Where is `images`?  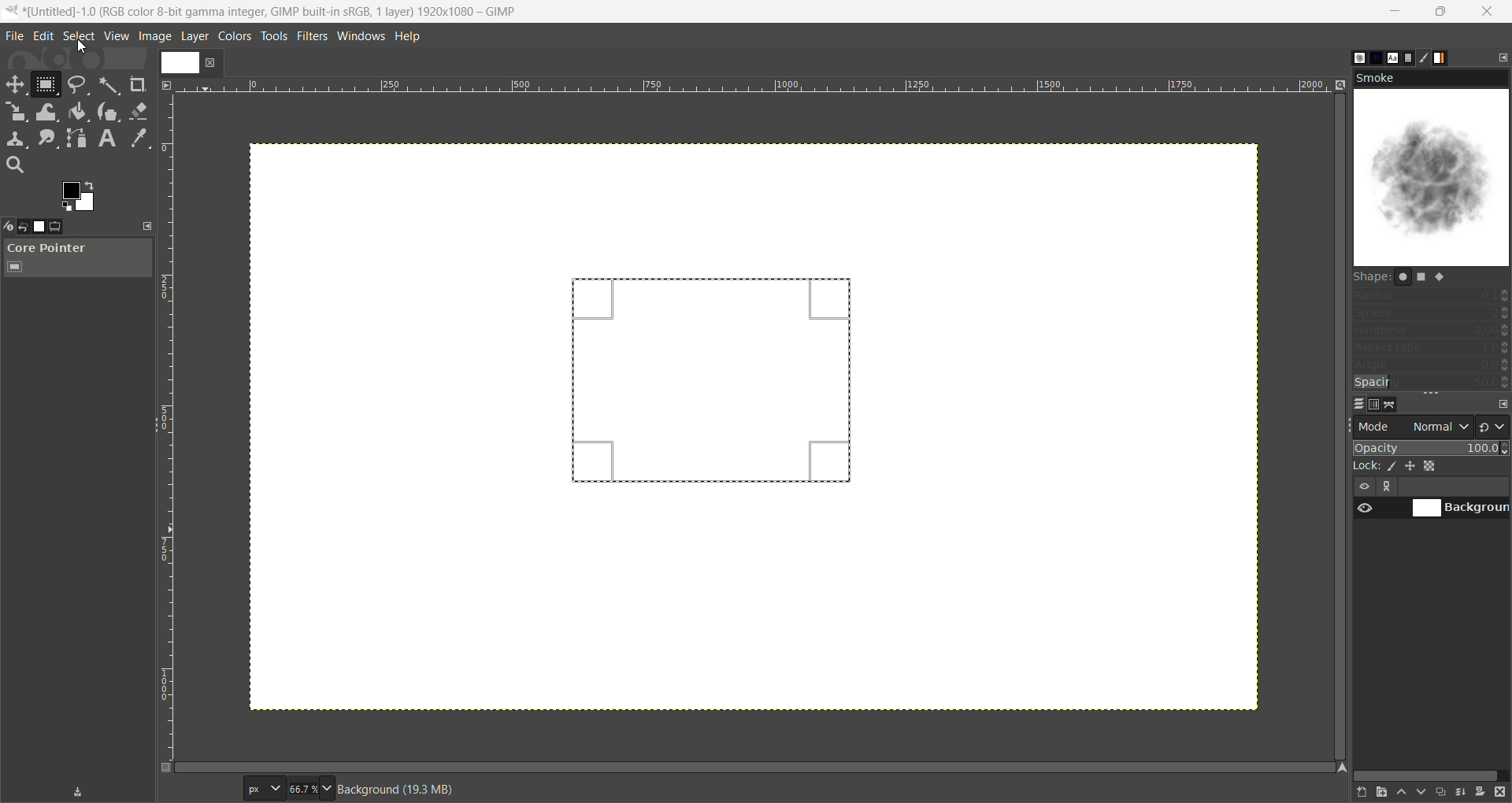
images is located at coordinates (37, 227).